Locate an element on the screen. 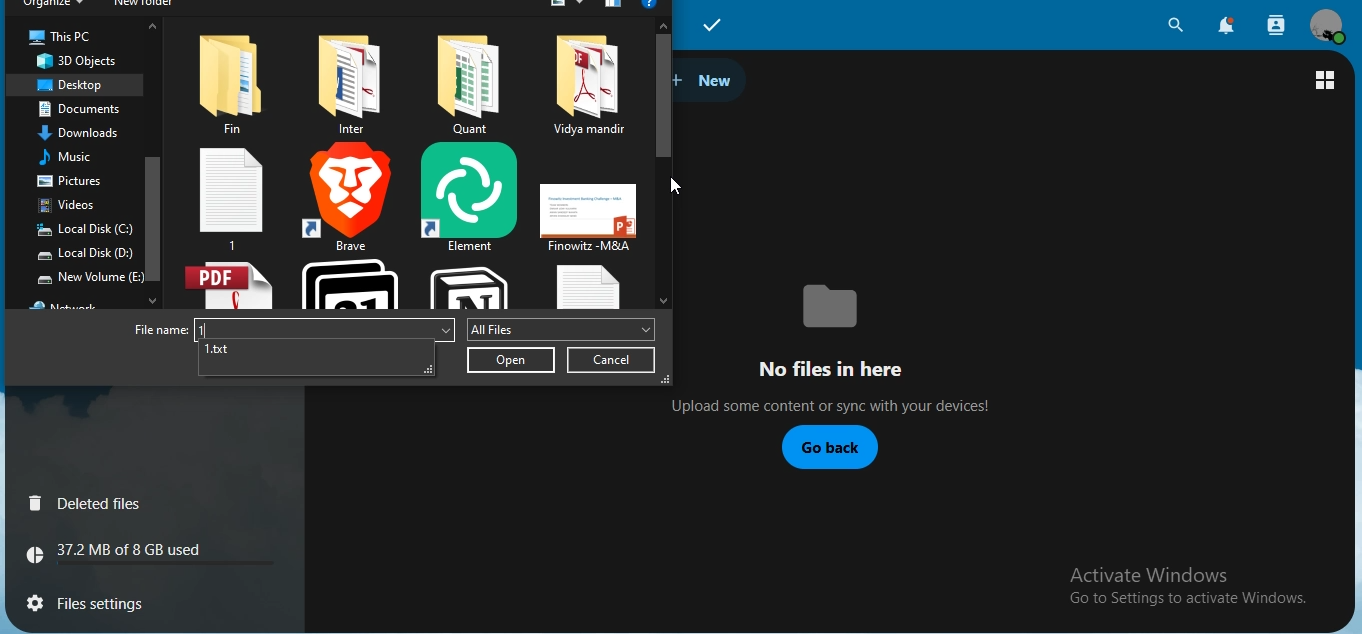  notion calendar is located at coordinates (349, 283).